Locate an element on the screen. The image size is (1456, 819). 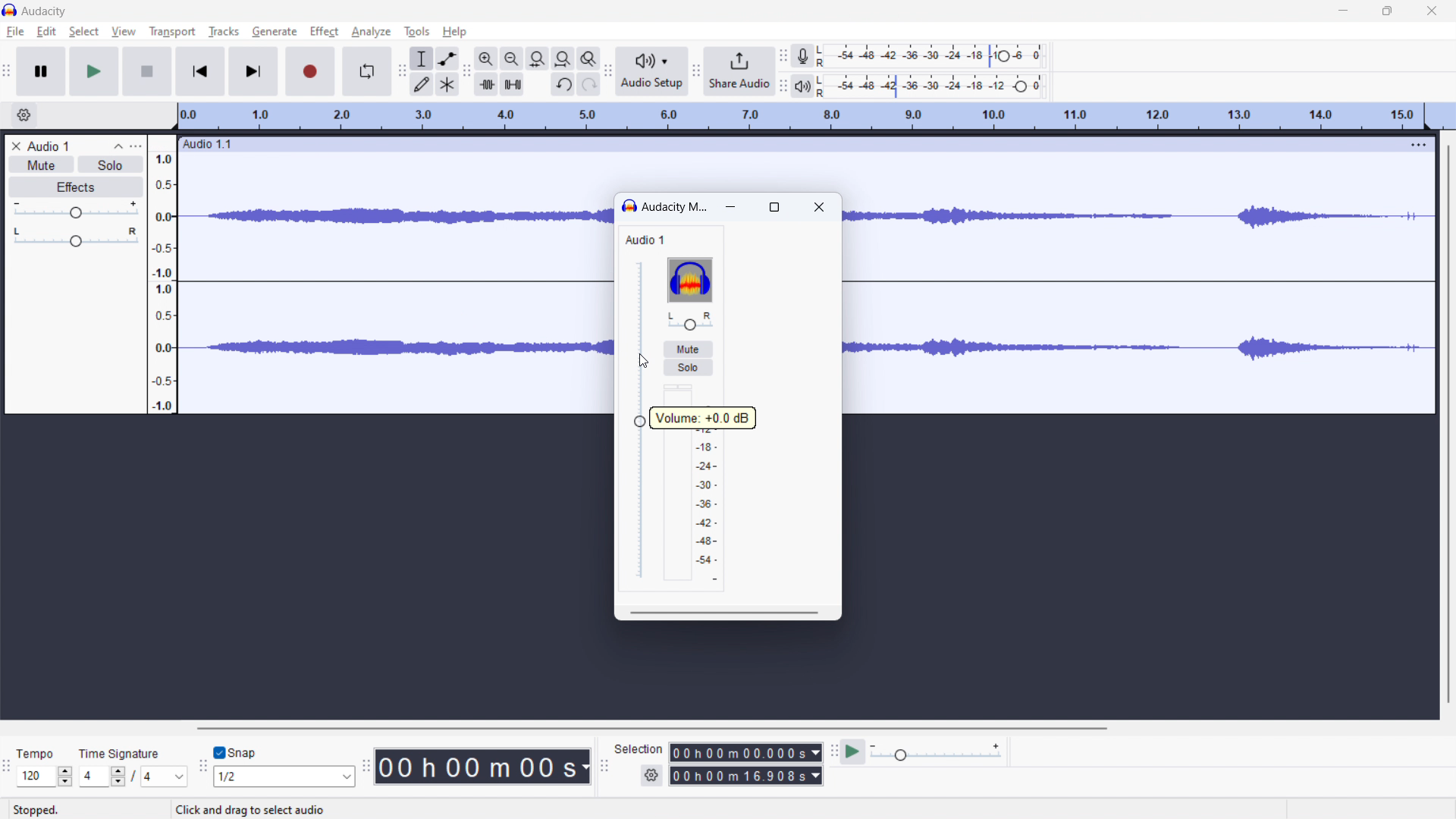
view menu is located at coordinates (137, 146).